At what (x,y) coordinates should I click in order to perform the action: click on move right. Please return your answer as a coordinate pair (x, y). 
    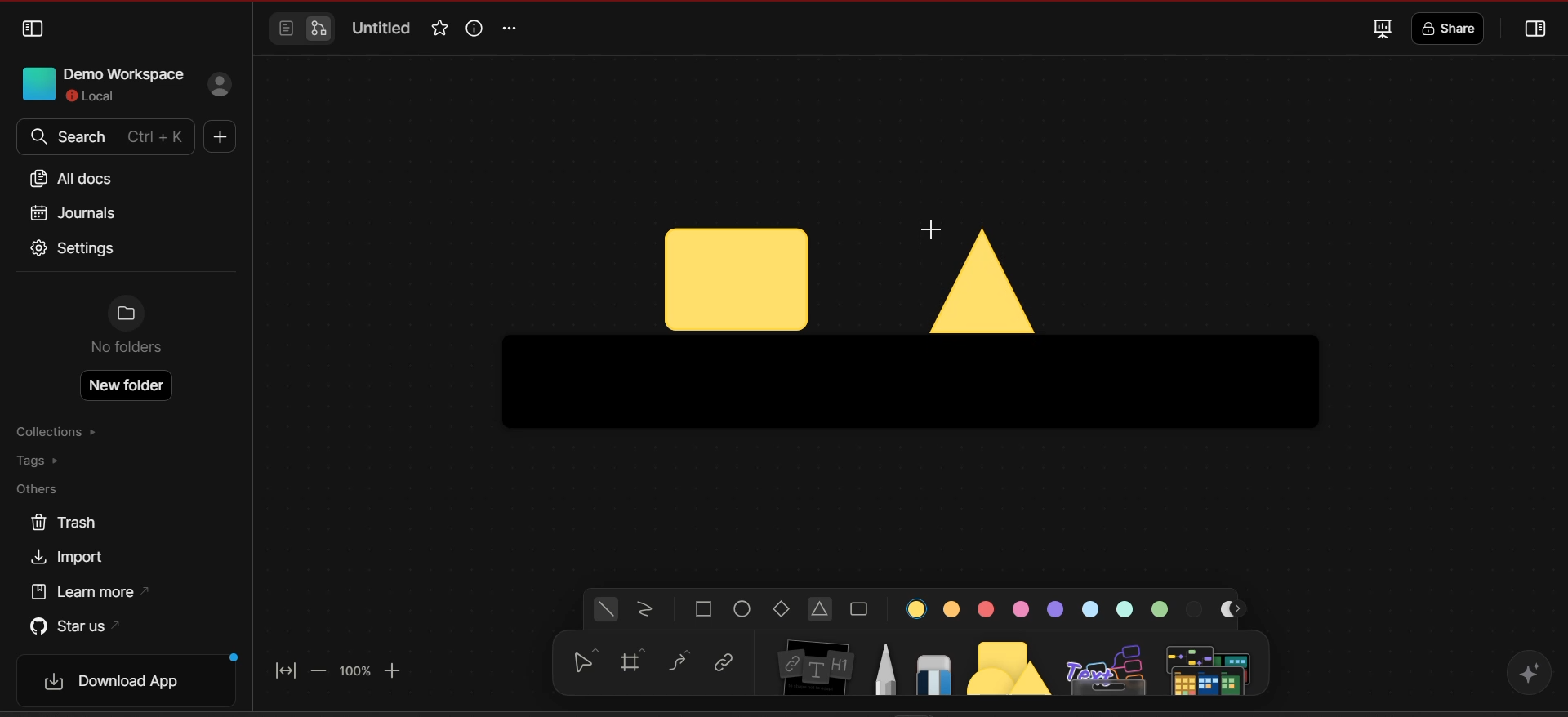
    Looking at the image, I should click on (1241, 609).